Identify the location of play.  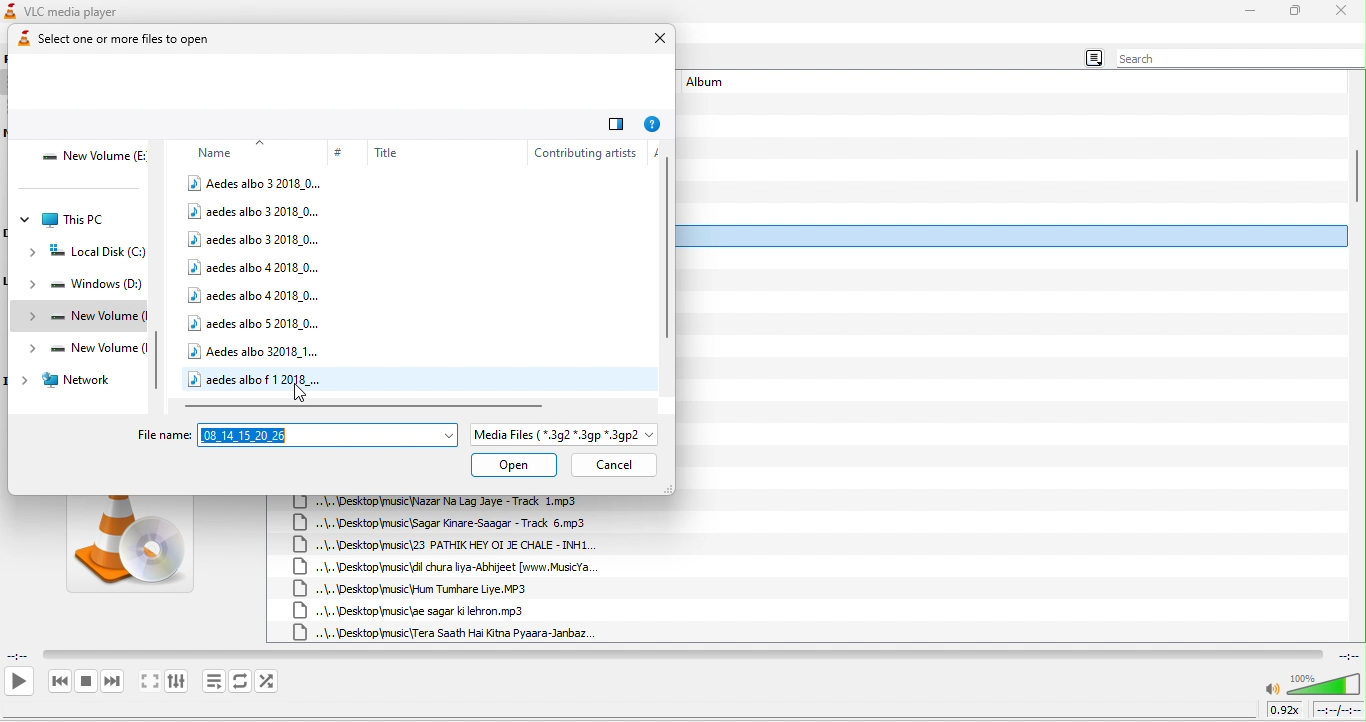
(18, 681).